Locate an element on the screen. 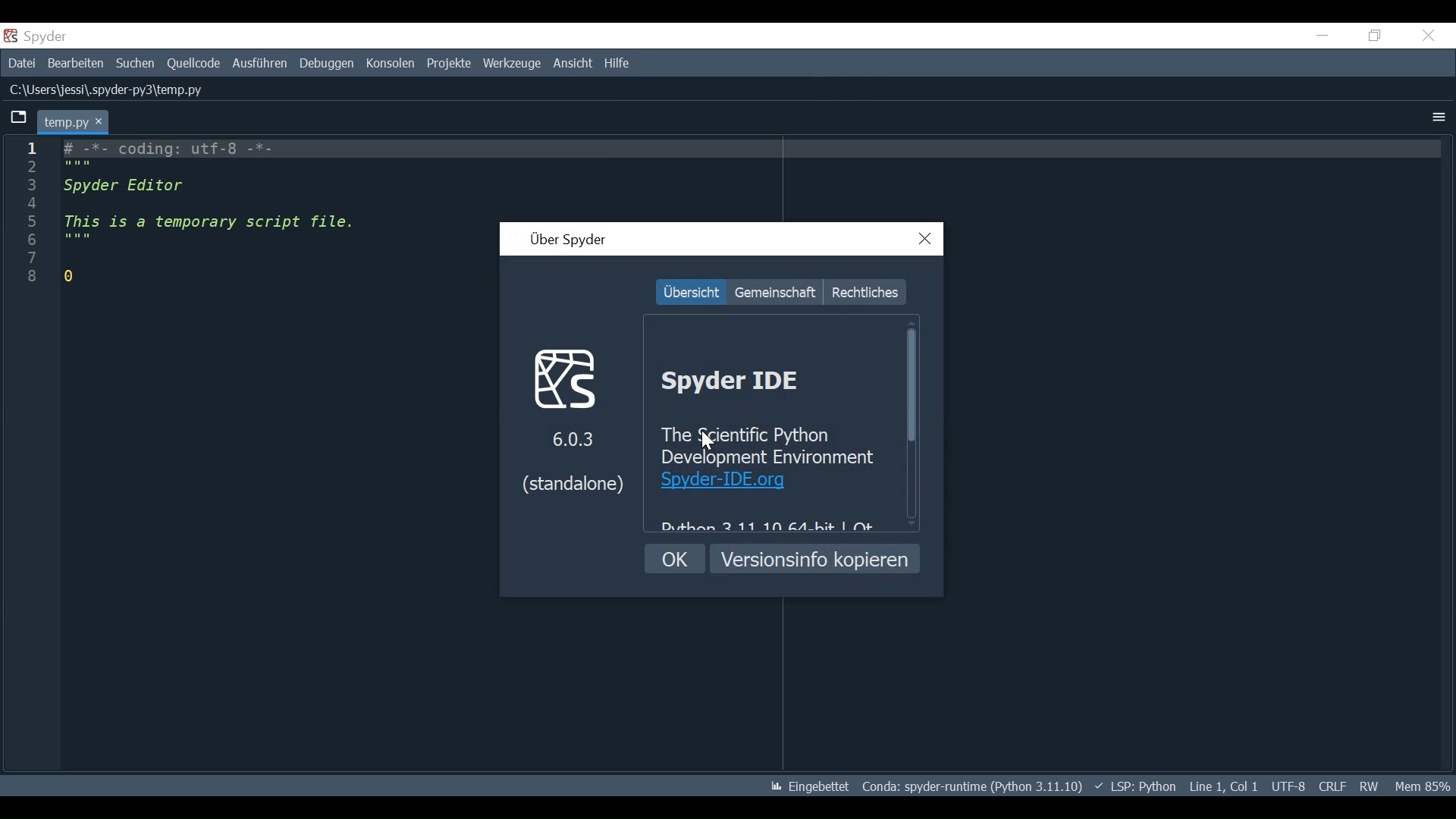 The height and width of the screenshot is (819, 1456). Browse Tab is located at coordinates (17, 119).